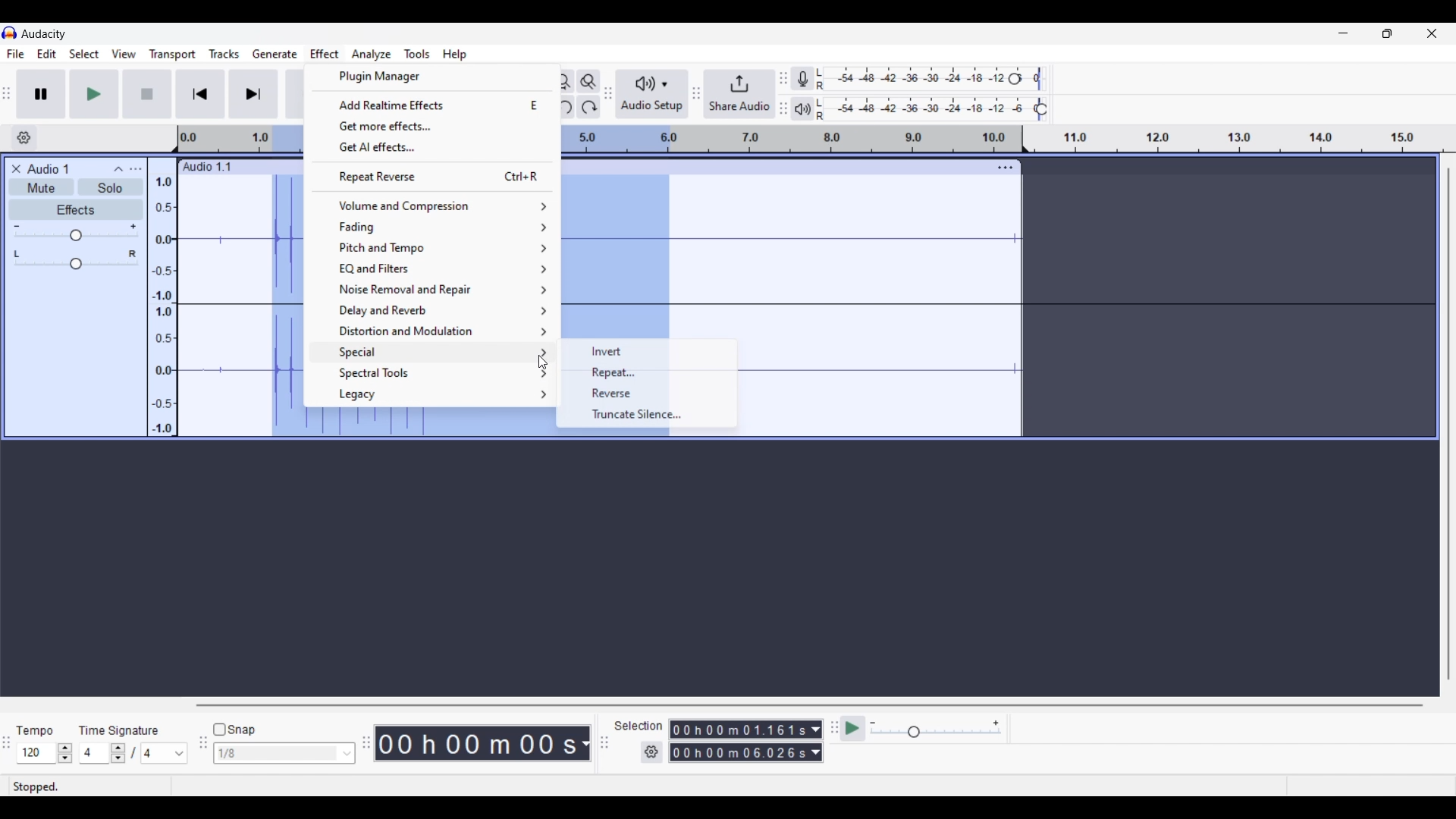 This screenshot has height=819, width=1456. Describe the element at coordinates (16, 54) in the screenshot. I see `File menu` at that location.